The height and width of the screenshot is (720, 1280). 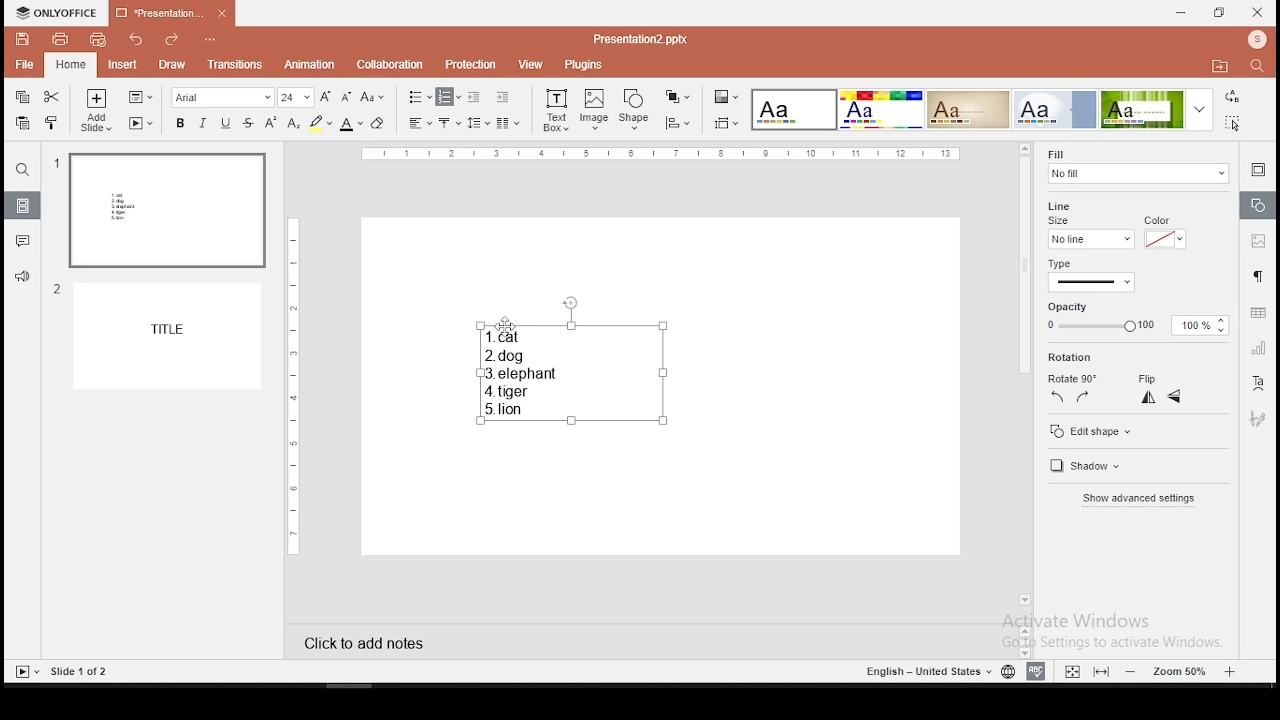 What do you see at coordinates (585, 65) in the screenshot?
I see `plugins` at bounding box center [585, 65].